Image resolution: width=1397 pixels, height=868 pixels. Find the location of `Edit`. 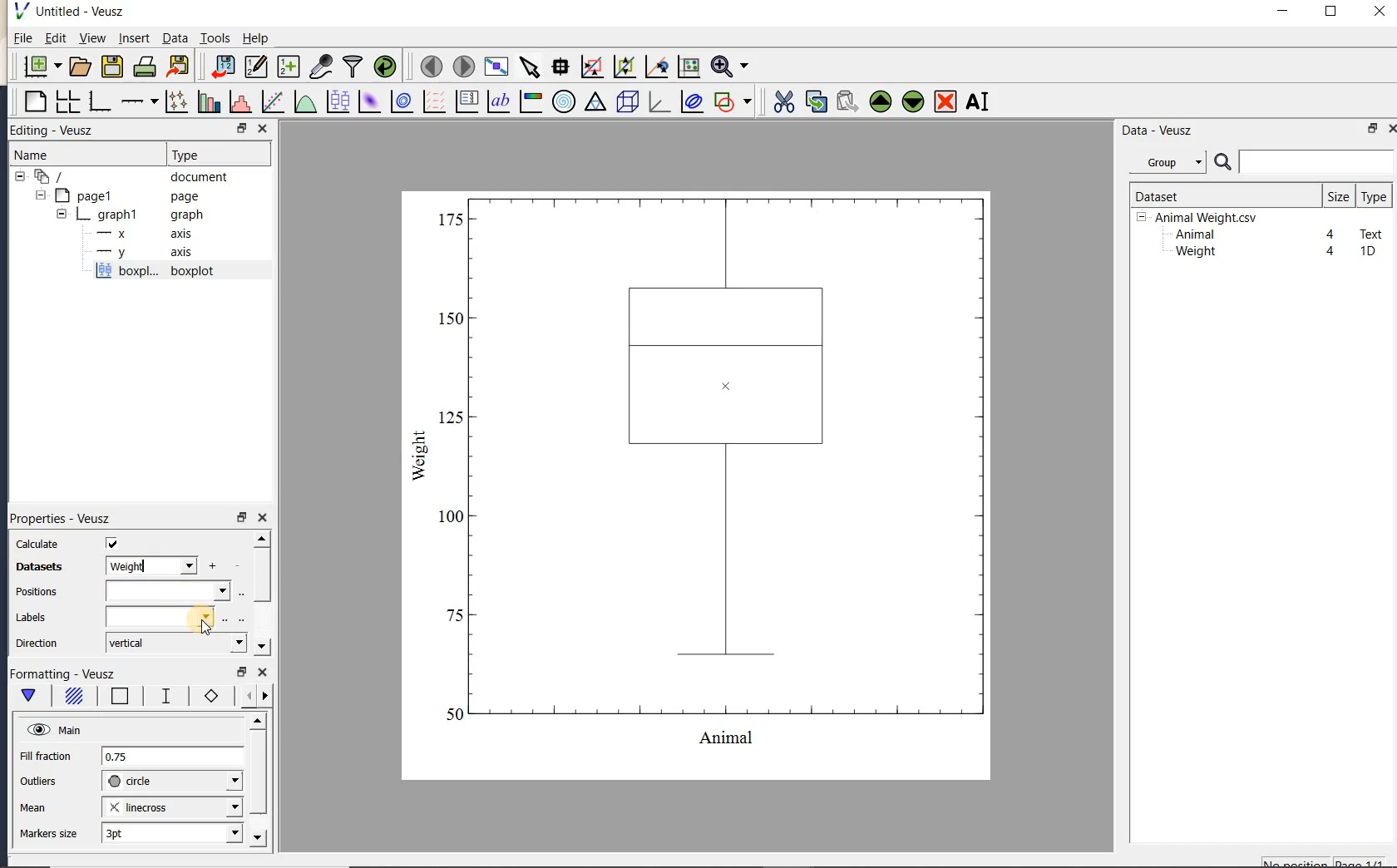

Edit is located at coordinates (52, 40).